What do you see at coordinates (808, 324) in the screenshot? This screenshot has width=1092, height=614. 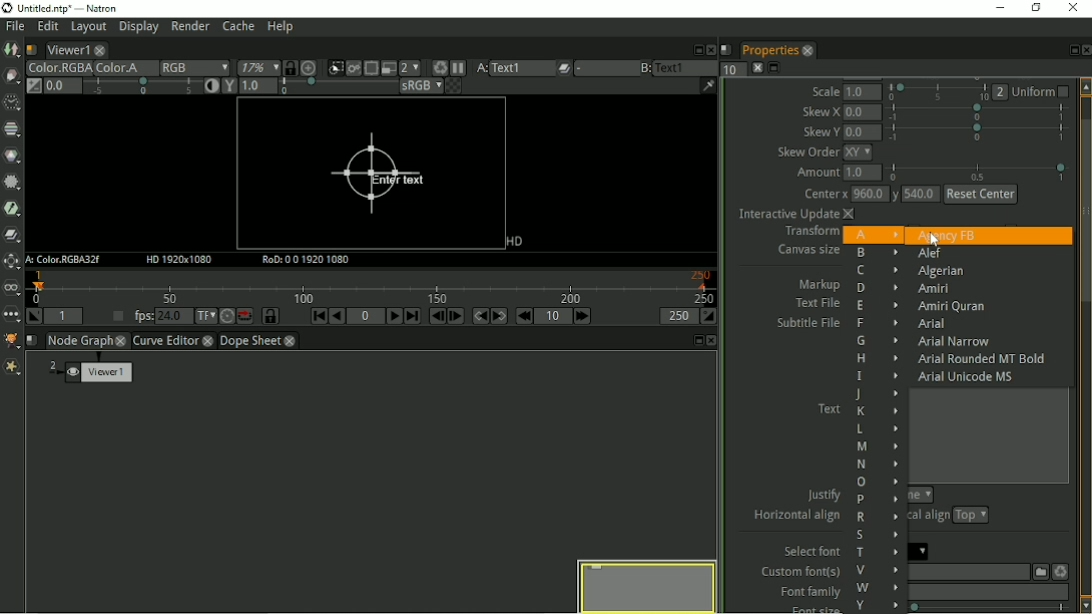 I see `subtitle file` at bounding box center [808, 324].